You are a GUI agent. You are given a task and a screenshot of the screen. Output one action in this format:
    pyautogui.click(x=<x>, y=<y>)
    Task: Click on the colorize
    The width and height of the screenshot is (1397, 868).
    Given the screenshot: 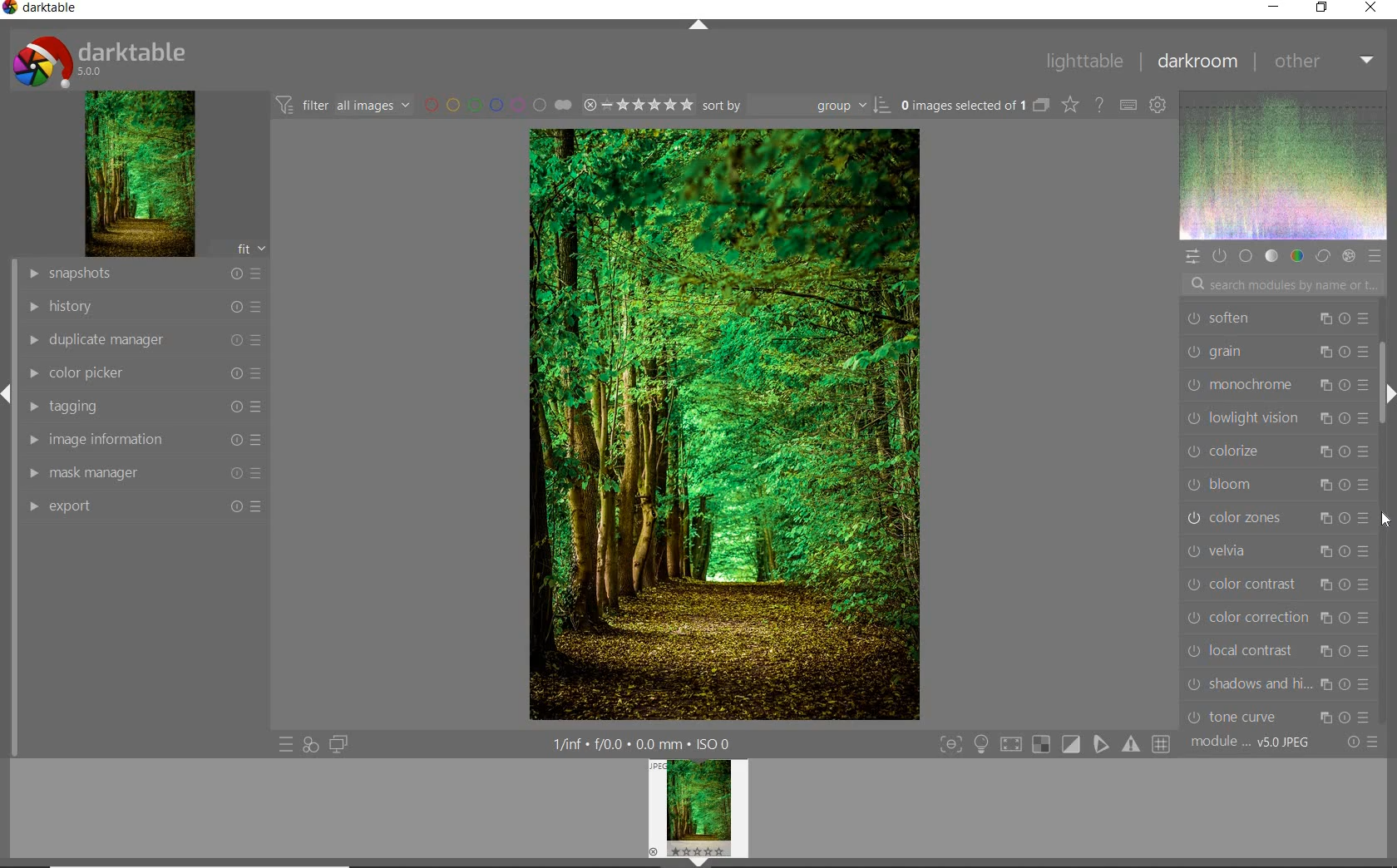 What is the action you would take?
    pyautogui.click(x=1278, y=449)
    